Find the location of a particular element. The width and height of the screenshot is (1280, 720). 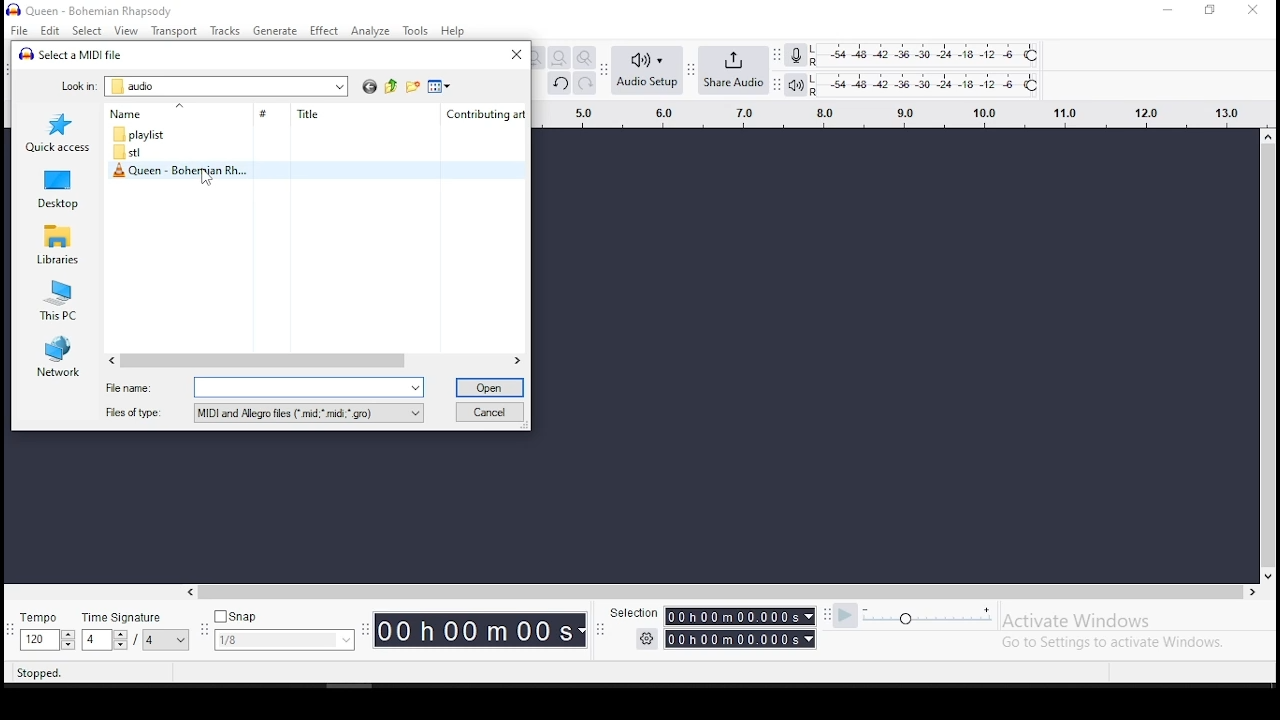

this PC is located at coordinates (62, 302).